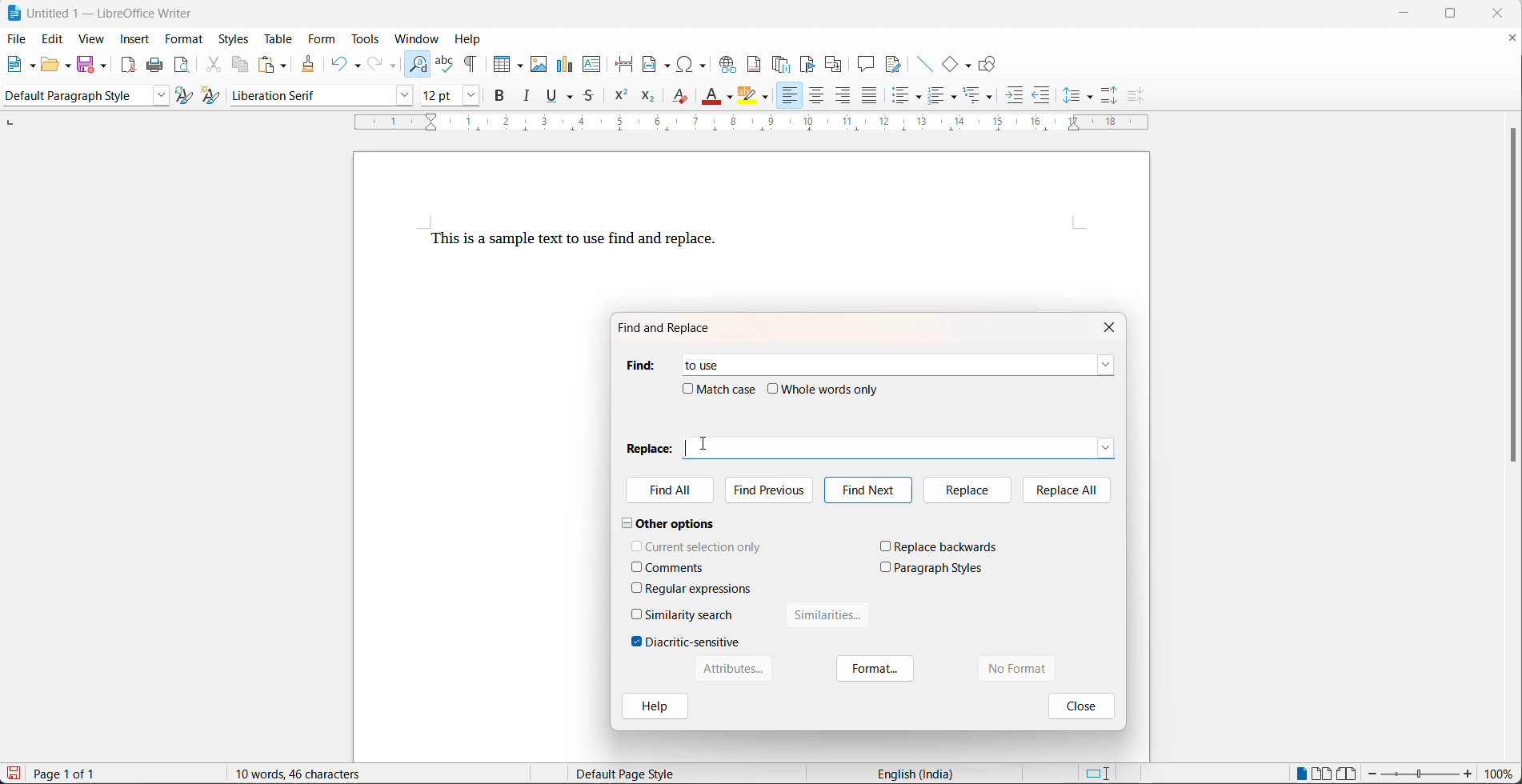 The height and width of the screenshot is (784, 1522). What do you see at coordinates (1503, 13) in the screenshot?
I see `close` at bounding box center [1503, 13].